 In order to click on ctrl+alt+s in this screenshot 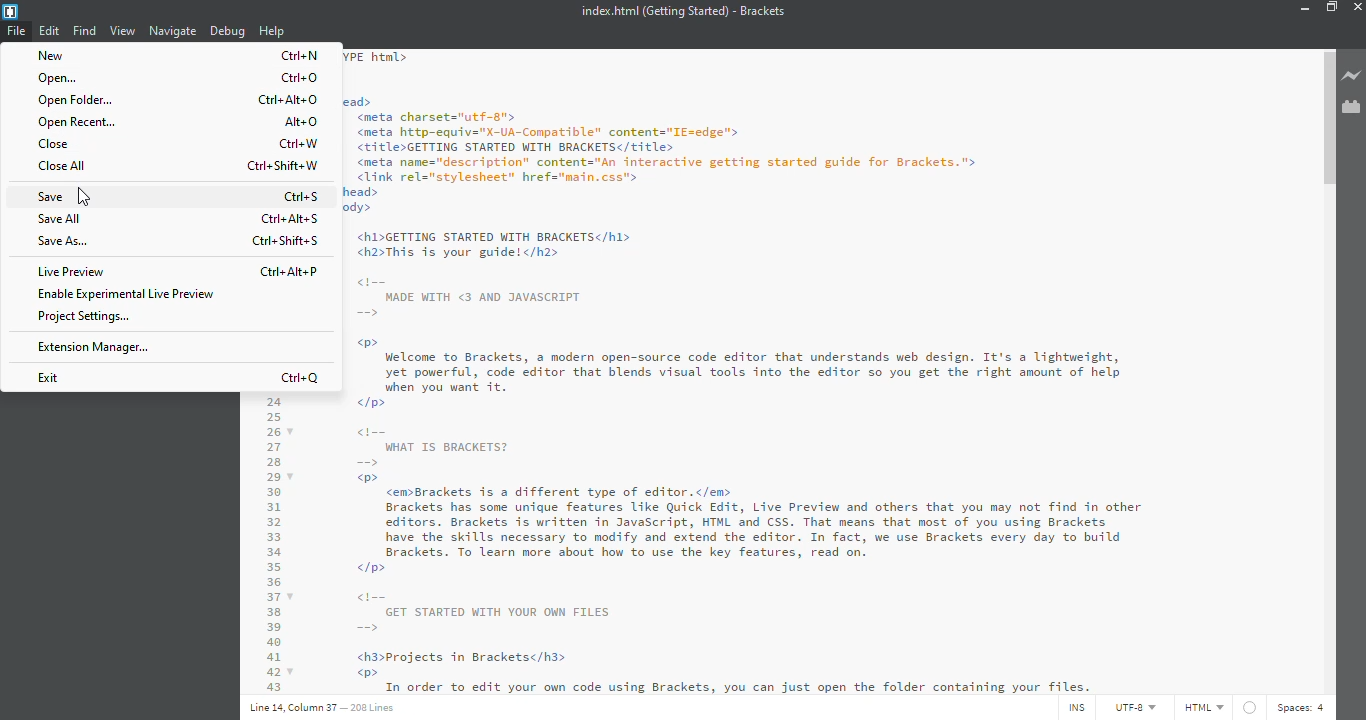, I will do `click(293, 220)`.